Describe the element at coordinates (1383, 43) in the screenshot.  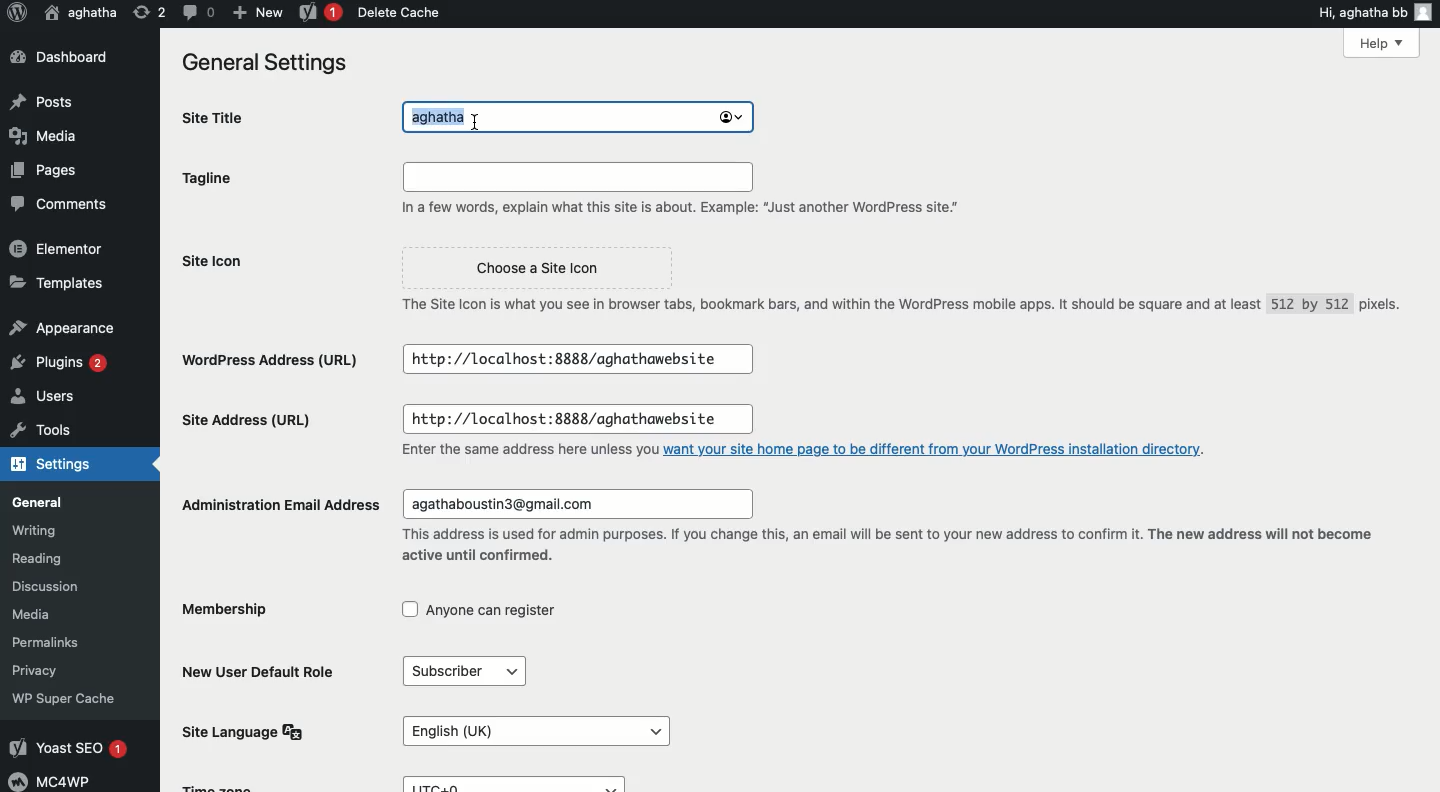
I see `Help` at that location.